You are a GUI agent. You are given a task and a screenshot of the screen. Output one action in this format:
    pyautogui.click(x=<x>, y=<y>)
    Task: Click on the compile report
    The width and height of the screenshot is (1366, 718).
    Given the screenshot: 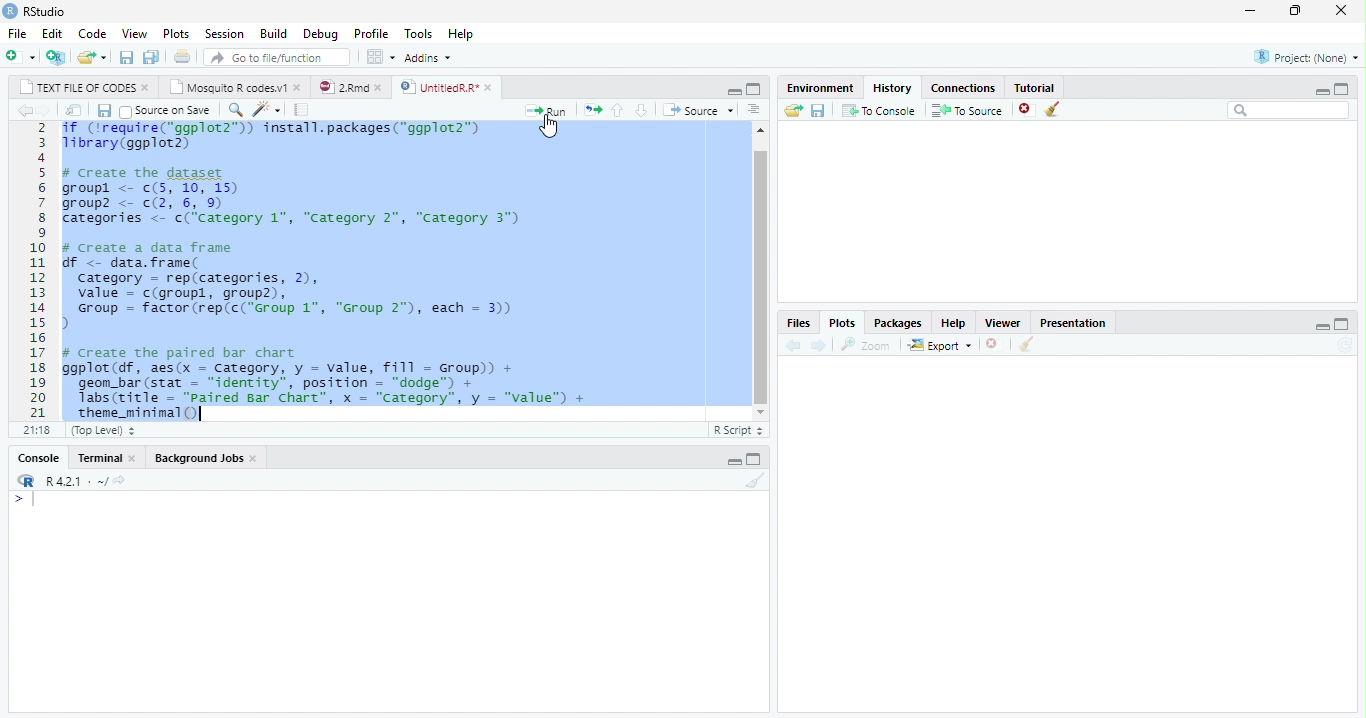 What is the action you would take?
    pyautogui.click(x=305, y=110)
    